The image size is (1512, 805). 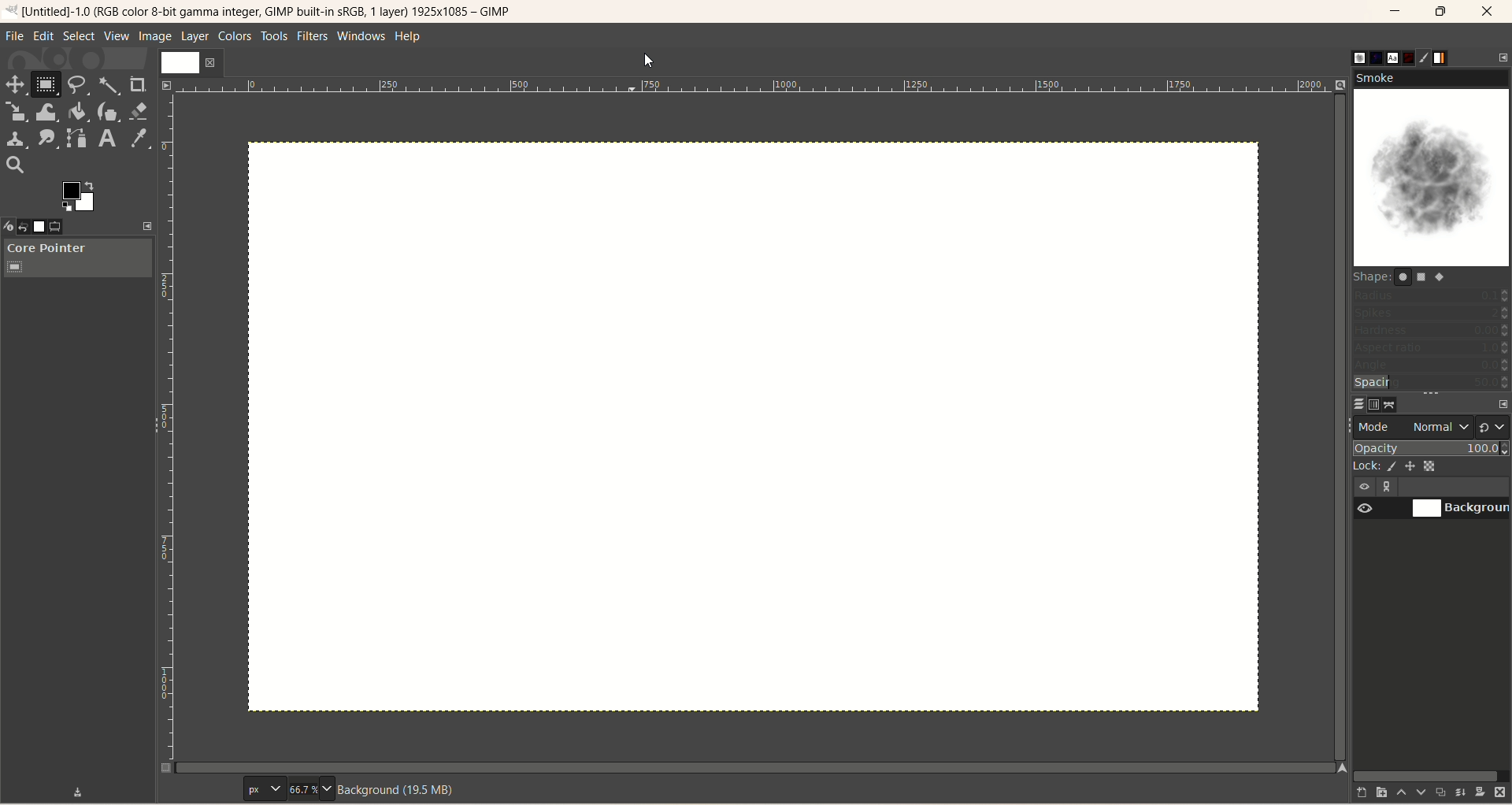 I want to click on image, so click(x=48, y=227).